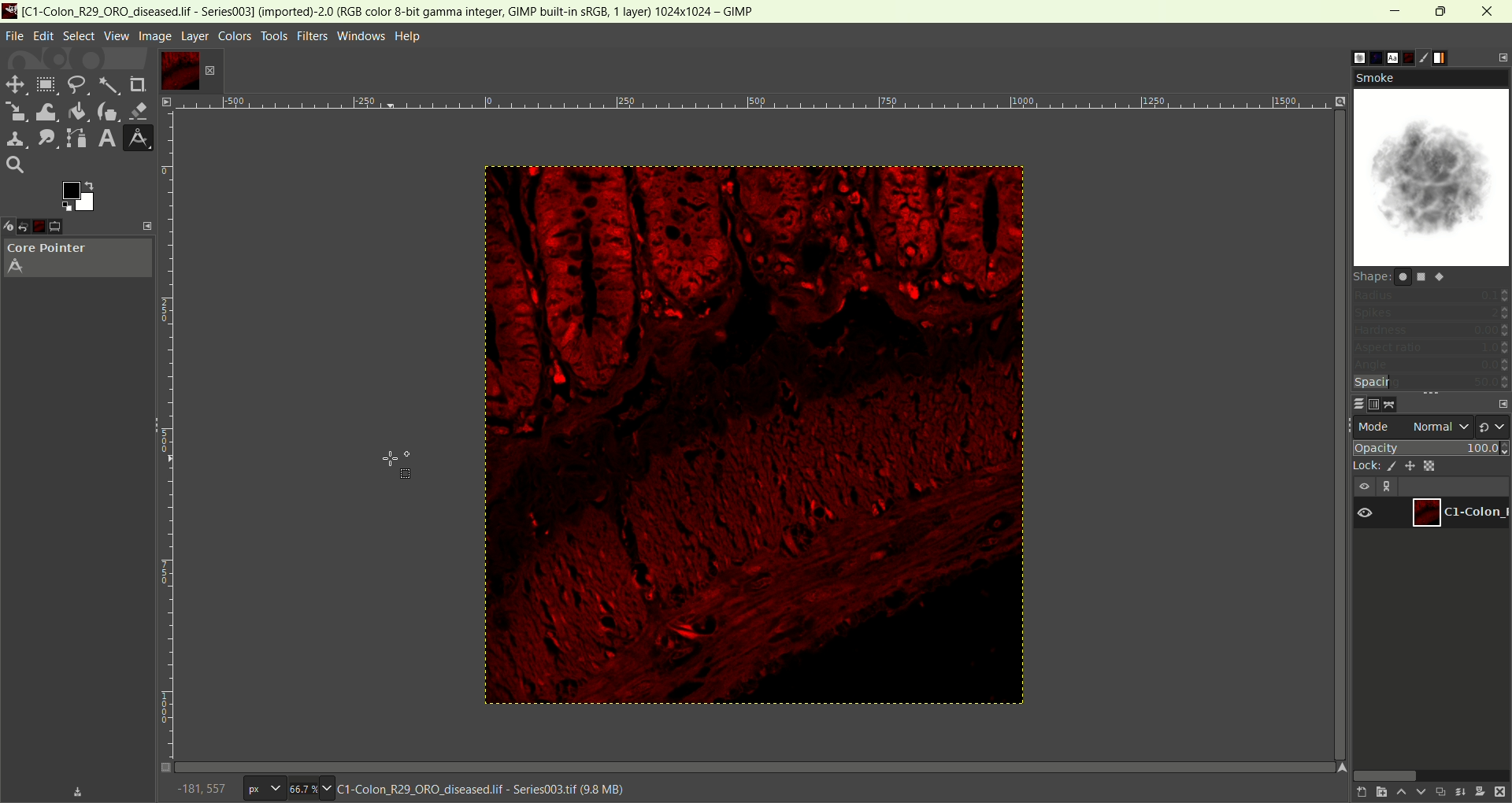  Describe the element at coordinates (154, 36) in the screenshot. I see `image` at that location.